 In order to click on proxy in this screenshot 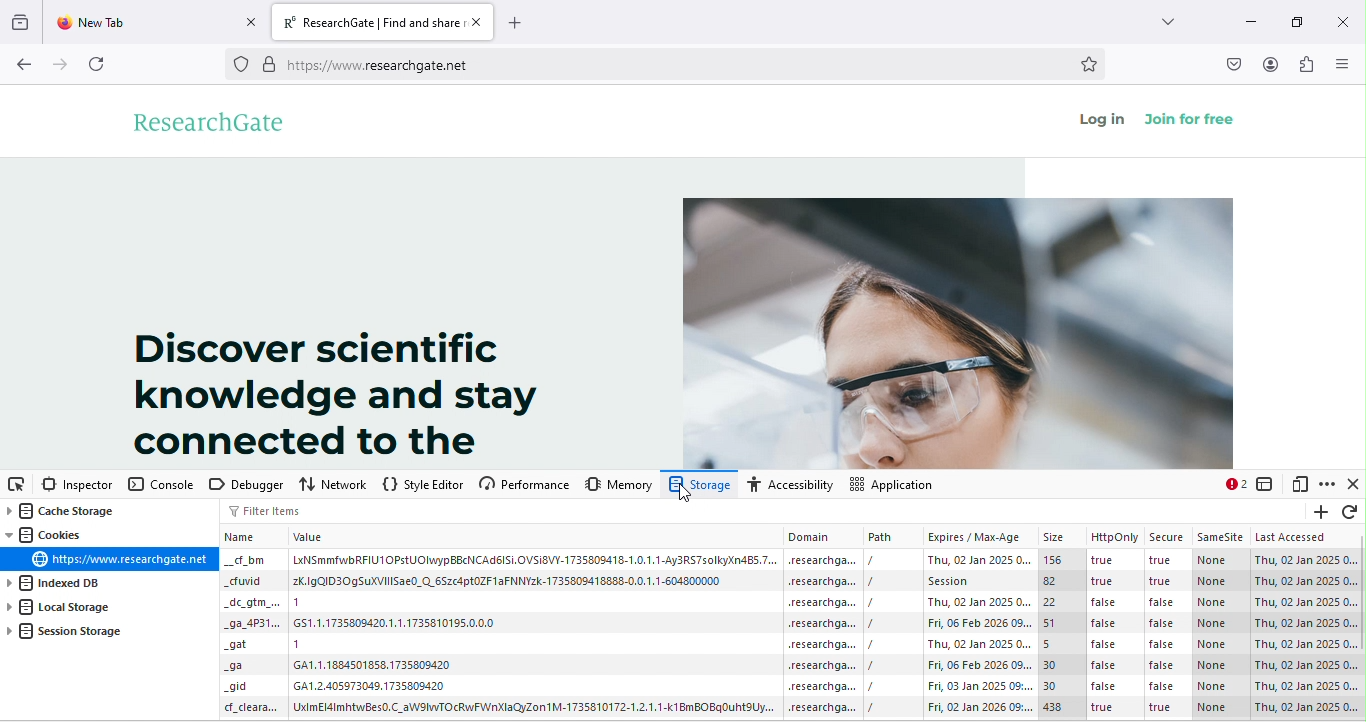, I will do `click(239, 63)`.